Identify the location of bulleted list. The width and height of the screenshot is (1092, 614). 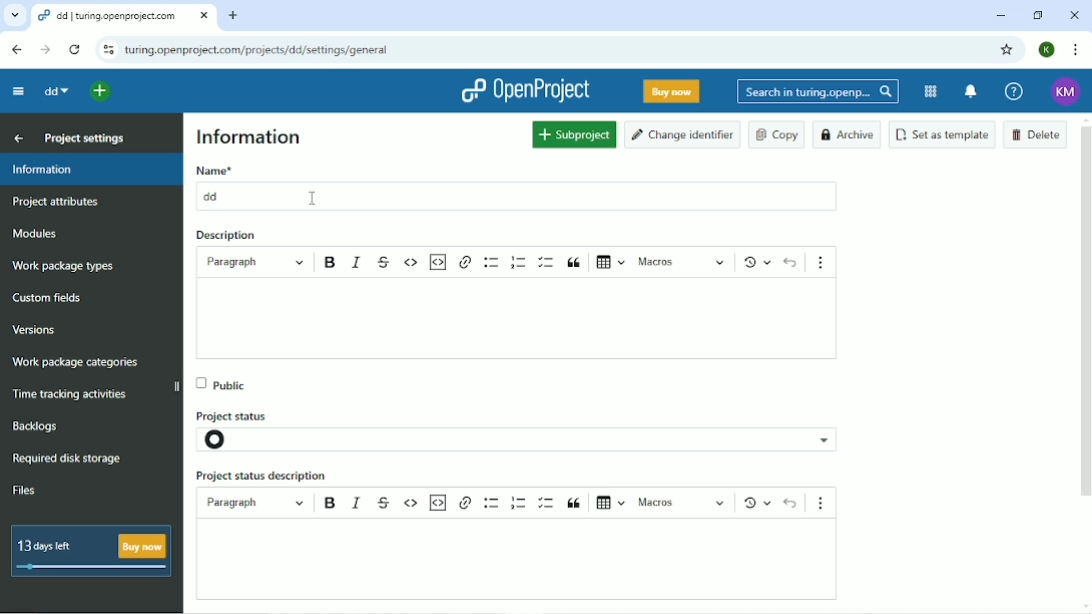
(490, 502).